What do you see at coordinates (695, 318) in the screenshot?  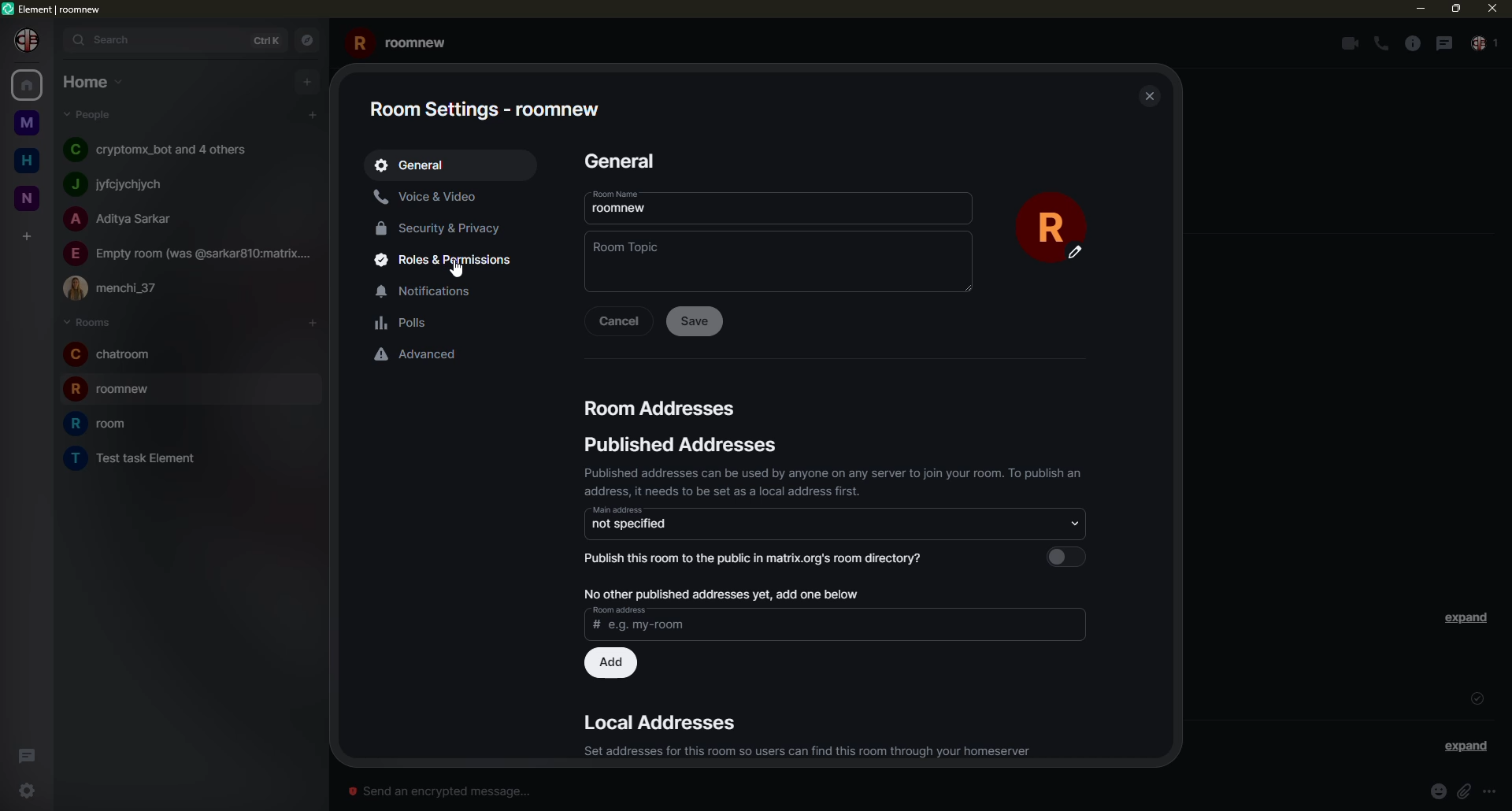 I see `save` at bounding box center [695, 318].